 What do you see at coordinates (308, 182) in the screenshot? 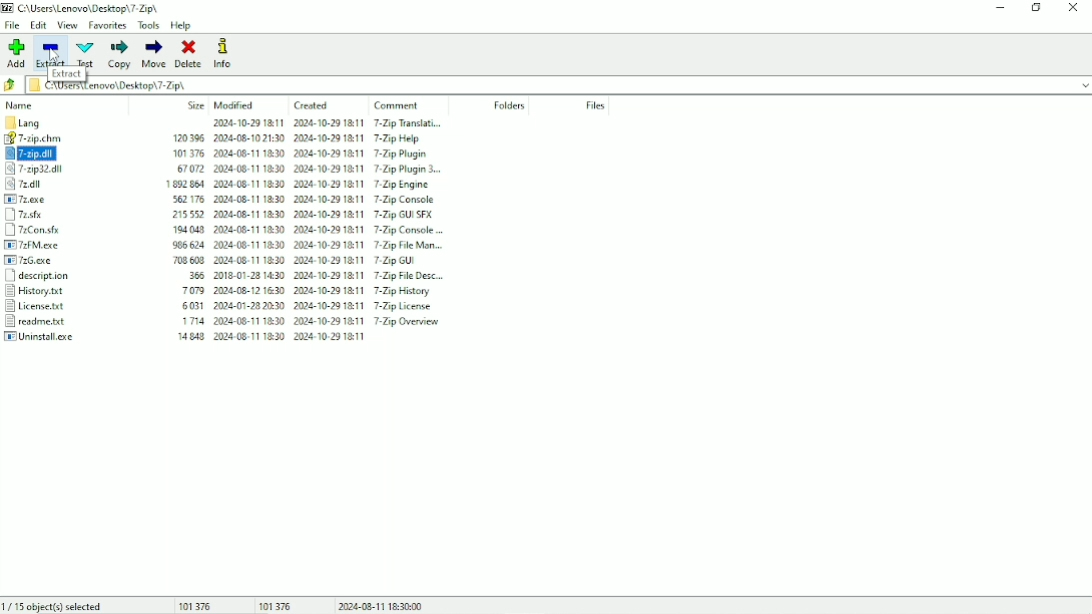
I see `1092064 2004.08 111830 2024-10-291811 7-Zip Engine` at bounding box center [308, 182].